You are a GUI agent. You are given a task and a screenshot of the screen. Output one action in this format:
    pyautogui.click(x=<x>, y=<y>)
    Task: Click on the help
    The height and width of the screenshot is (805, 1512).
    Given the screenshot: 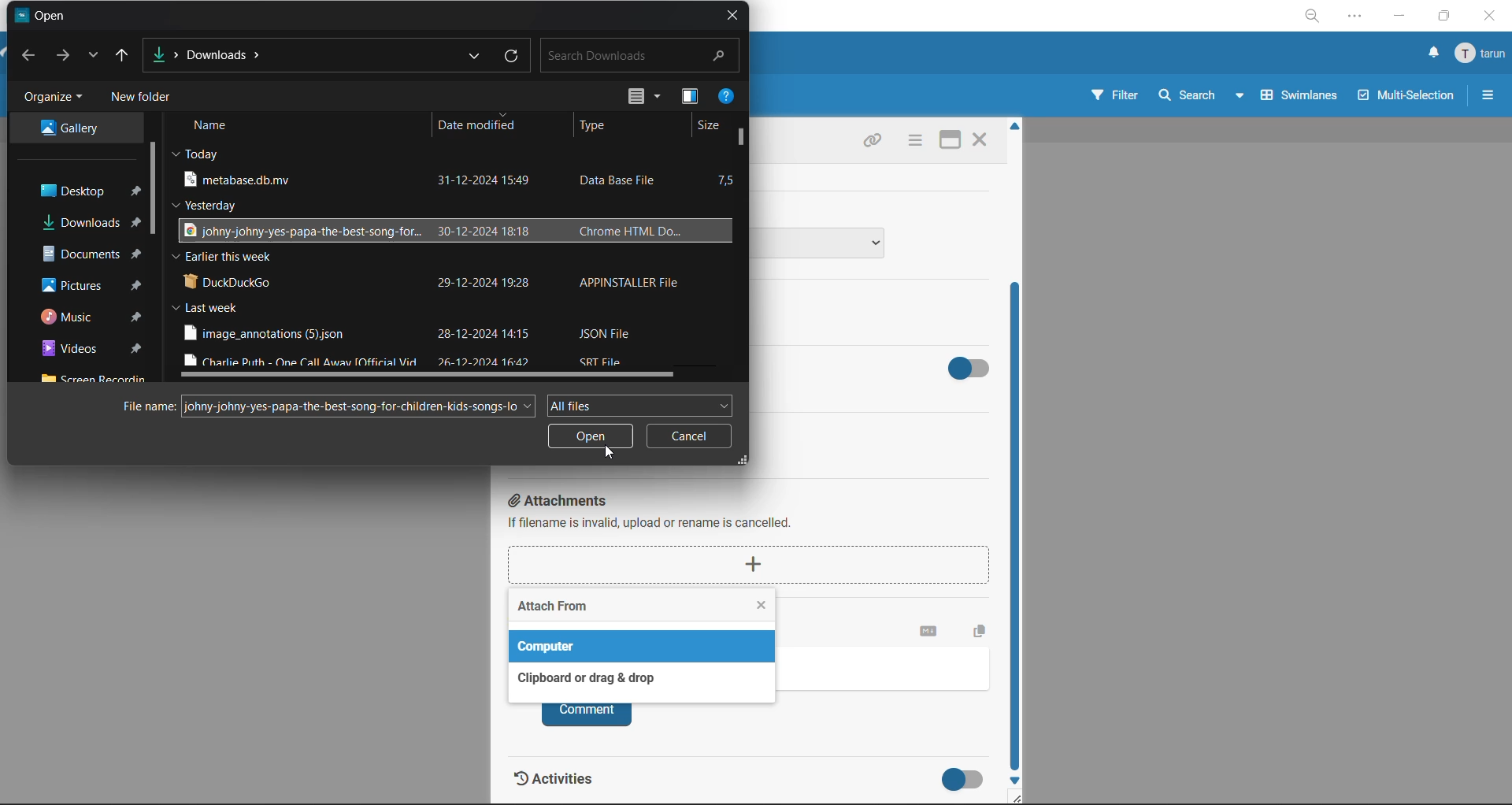 What is the action you would take?
    pyautogui.click(x=727, y=98)
    